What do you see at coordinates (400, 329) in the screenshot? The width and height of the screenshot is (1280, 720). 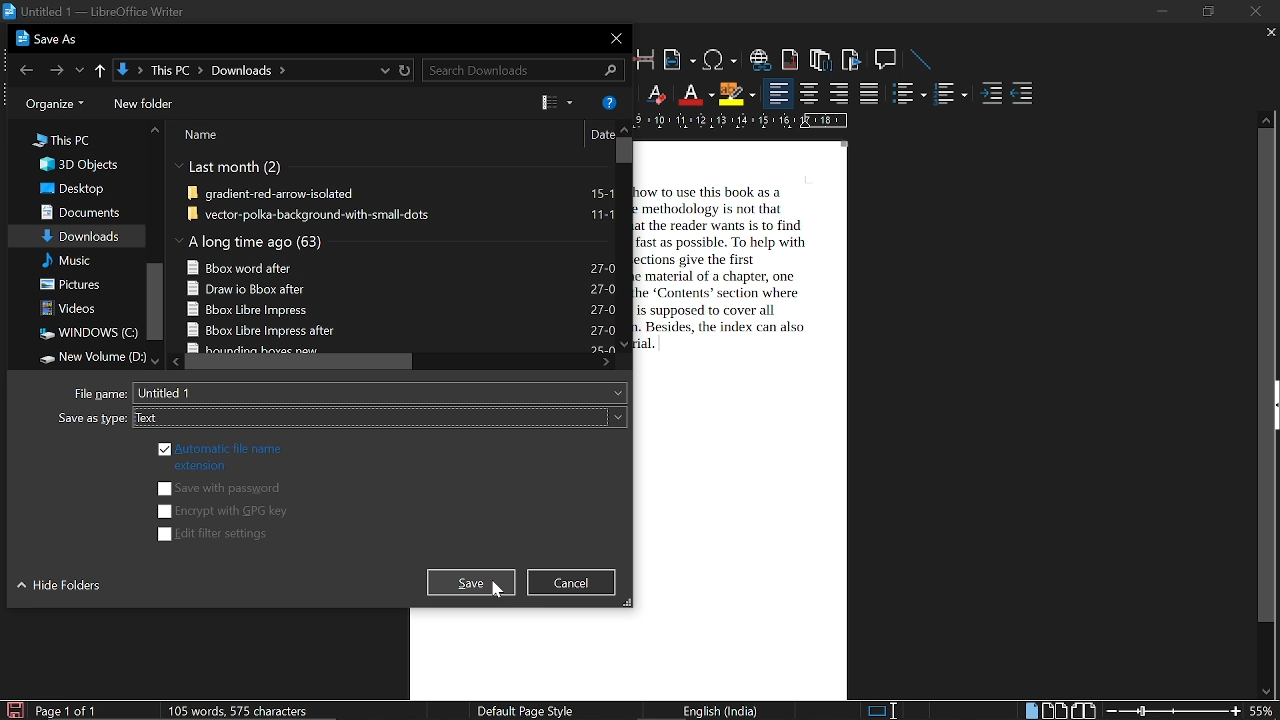 I see `Annexure 4 new 03-1` at bounding box center [400, 329].